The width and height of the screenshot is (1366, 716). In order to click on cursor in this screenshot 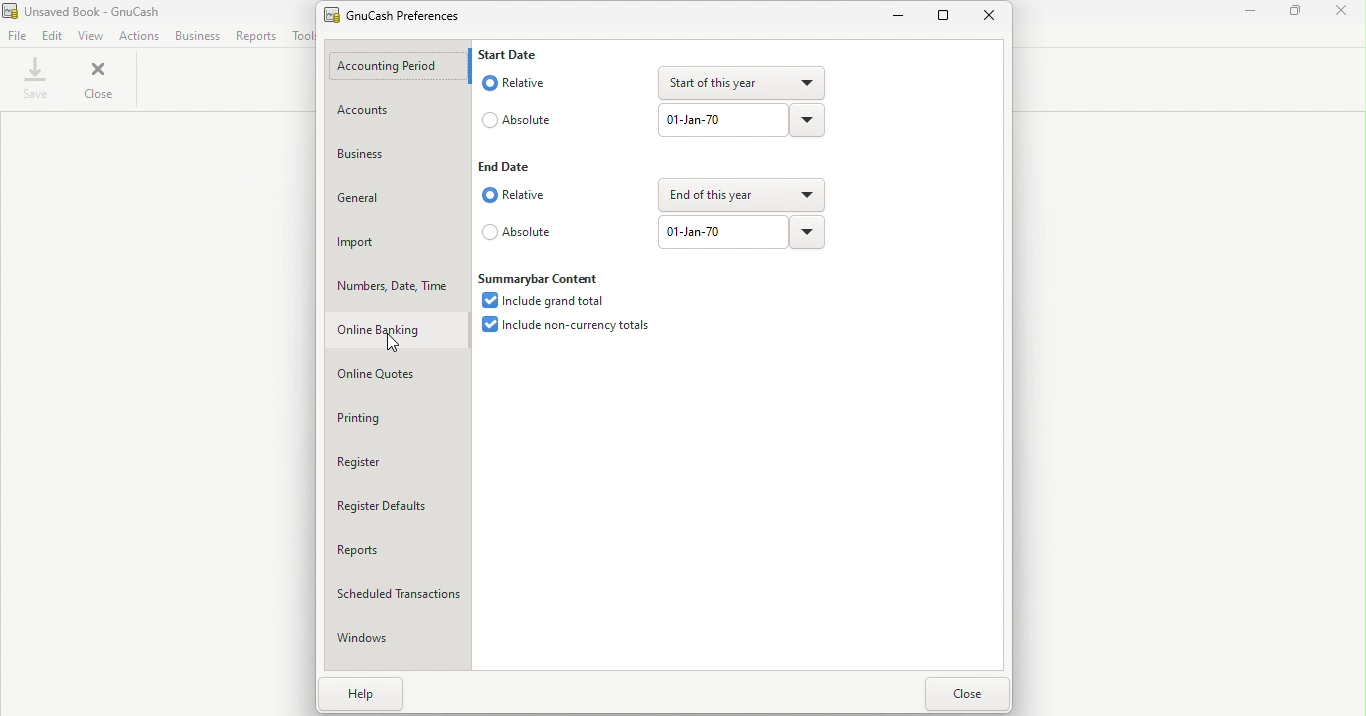, I will do `click(398, 345)`.